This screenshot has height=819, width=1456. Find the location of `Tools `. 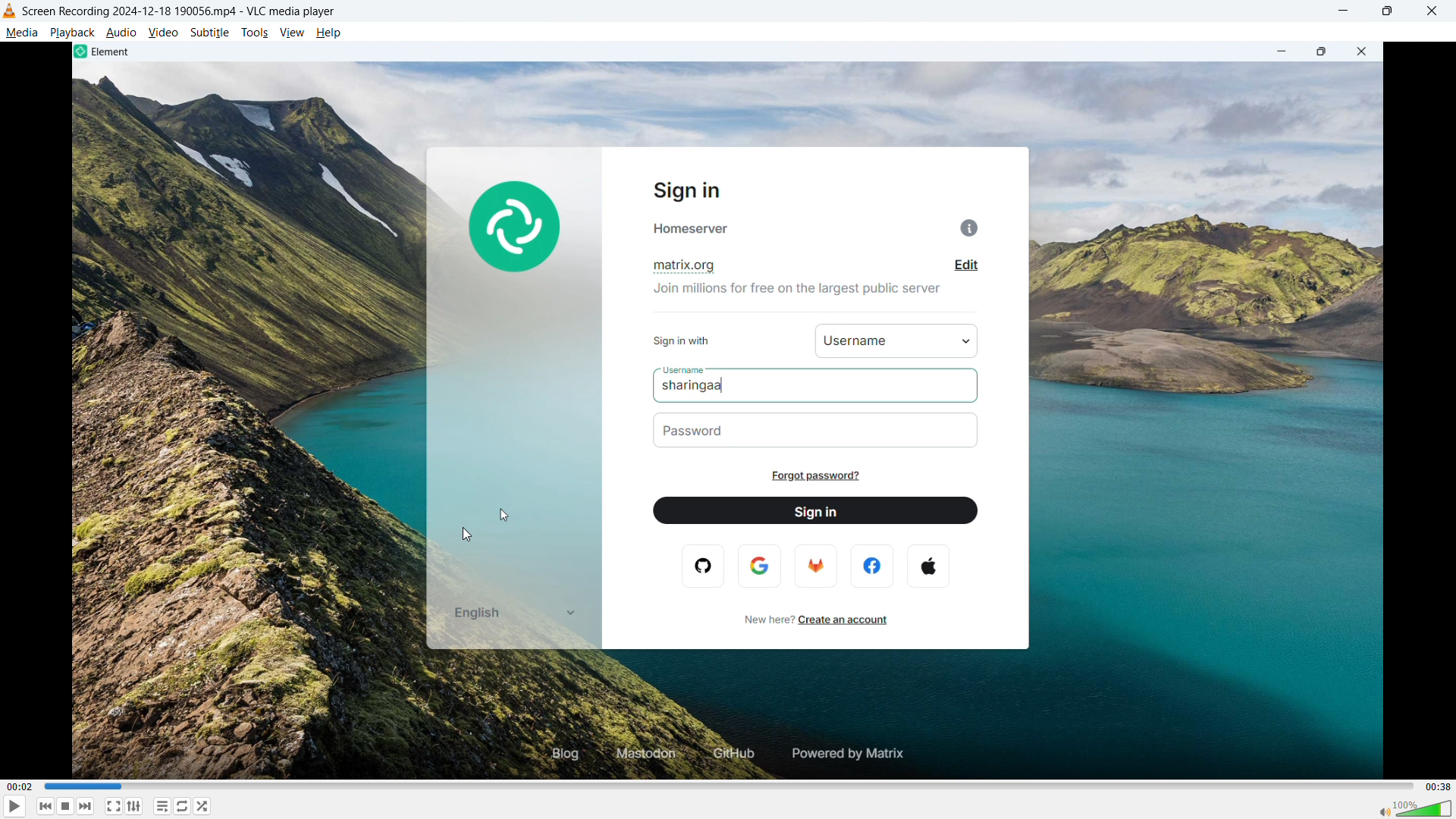

Tools  is located at coordinates (256, 33).